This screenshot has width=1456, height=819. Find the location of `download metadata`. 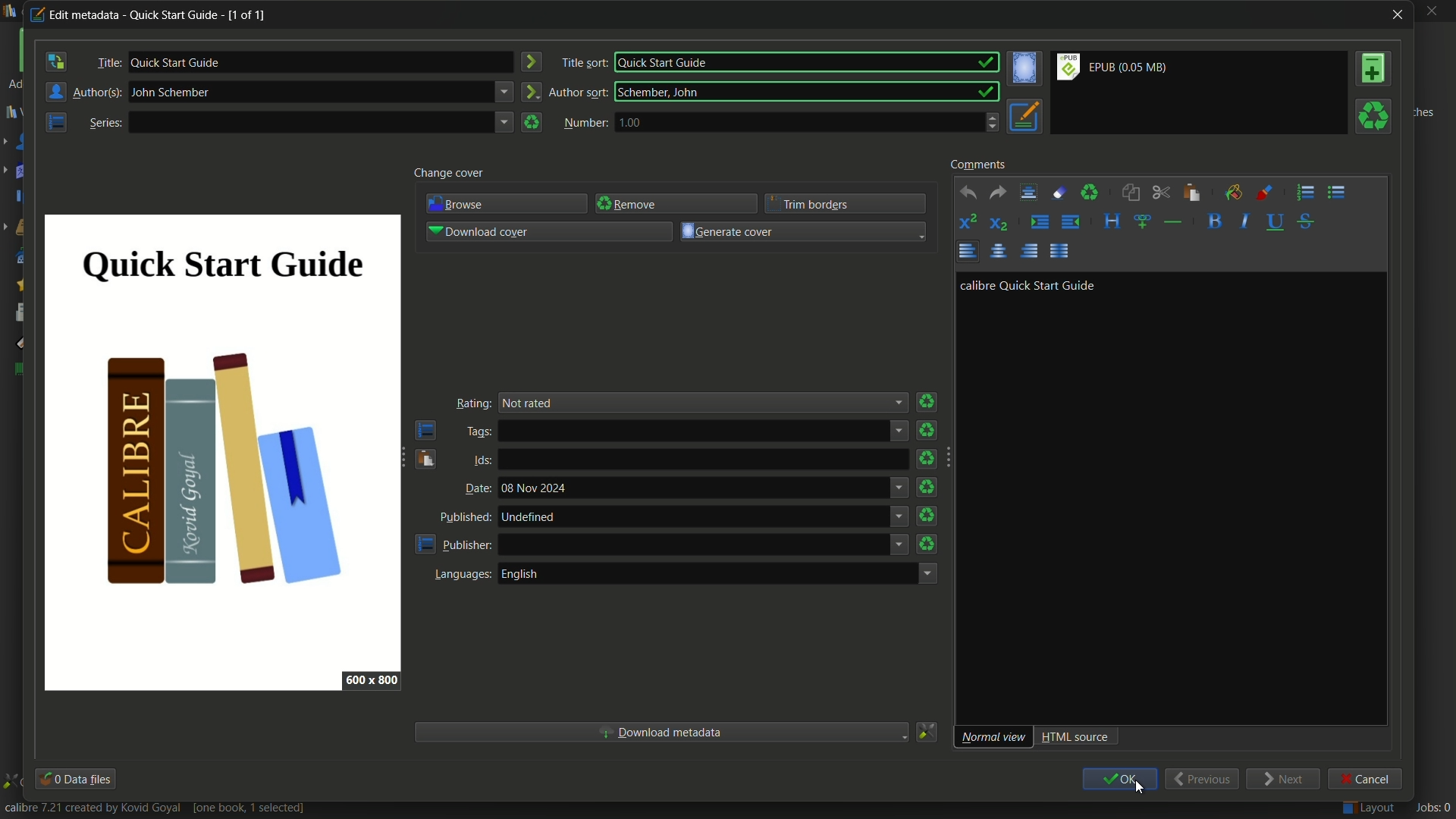

download metadata is located at coordinates (657, 735).